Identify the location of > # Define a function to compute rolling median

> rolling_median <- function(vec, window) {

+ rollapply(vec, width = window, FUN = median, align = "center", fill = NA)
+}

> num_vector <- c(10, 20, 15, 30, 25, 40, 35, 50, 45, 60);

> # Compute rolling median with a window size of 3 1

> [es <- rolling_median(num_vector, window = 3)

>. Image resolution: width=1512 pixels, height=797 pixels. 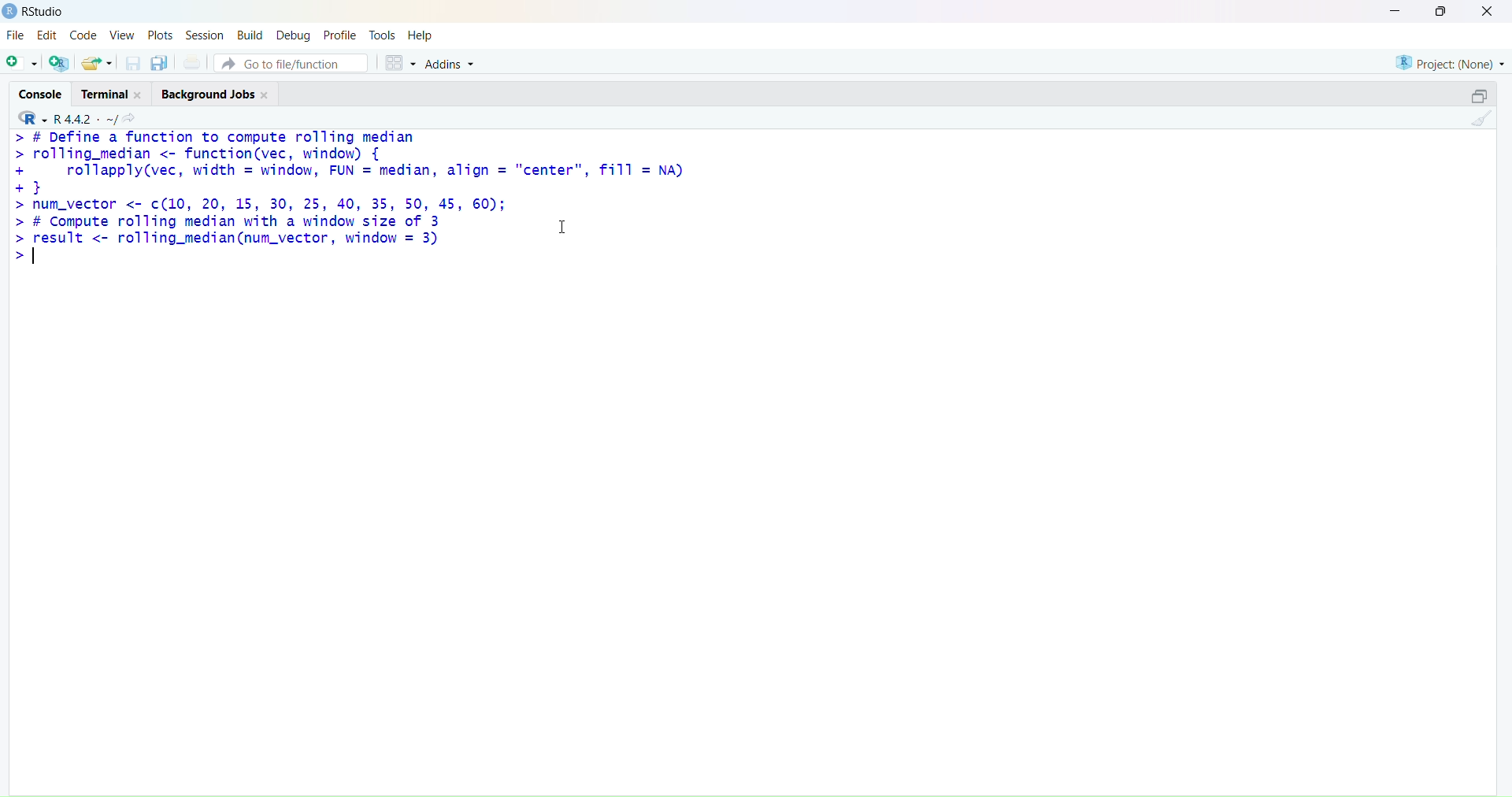
(350, 199).